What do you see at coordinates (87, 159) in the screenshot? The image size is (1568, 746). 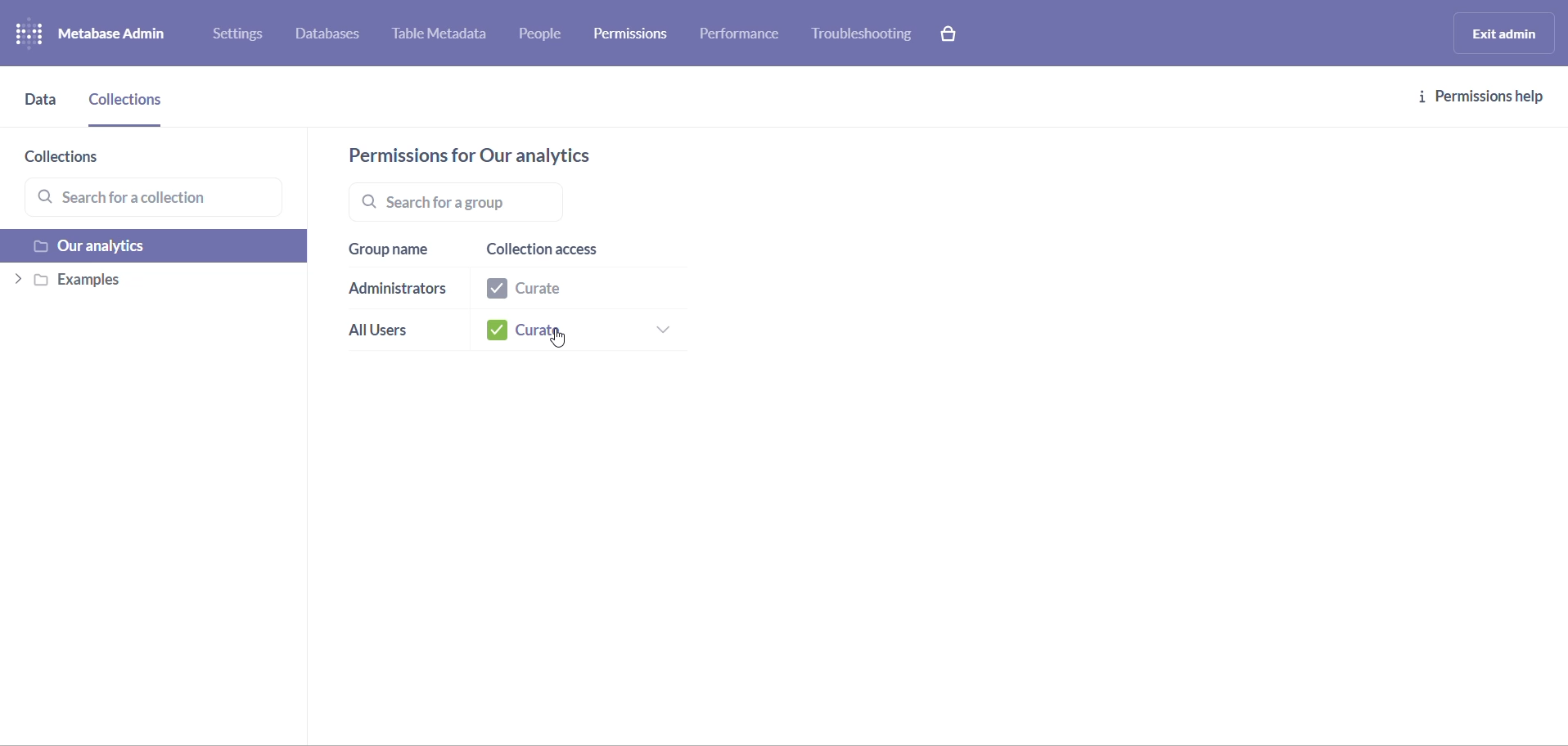 I see `collections` at bounding box center [87, 159].